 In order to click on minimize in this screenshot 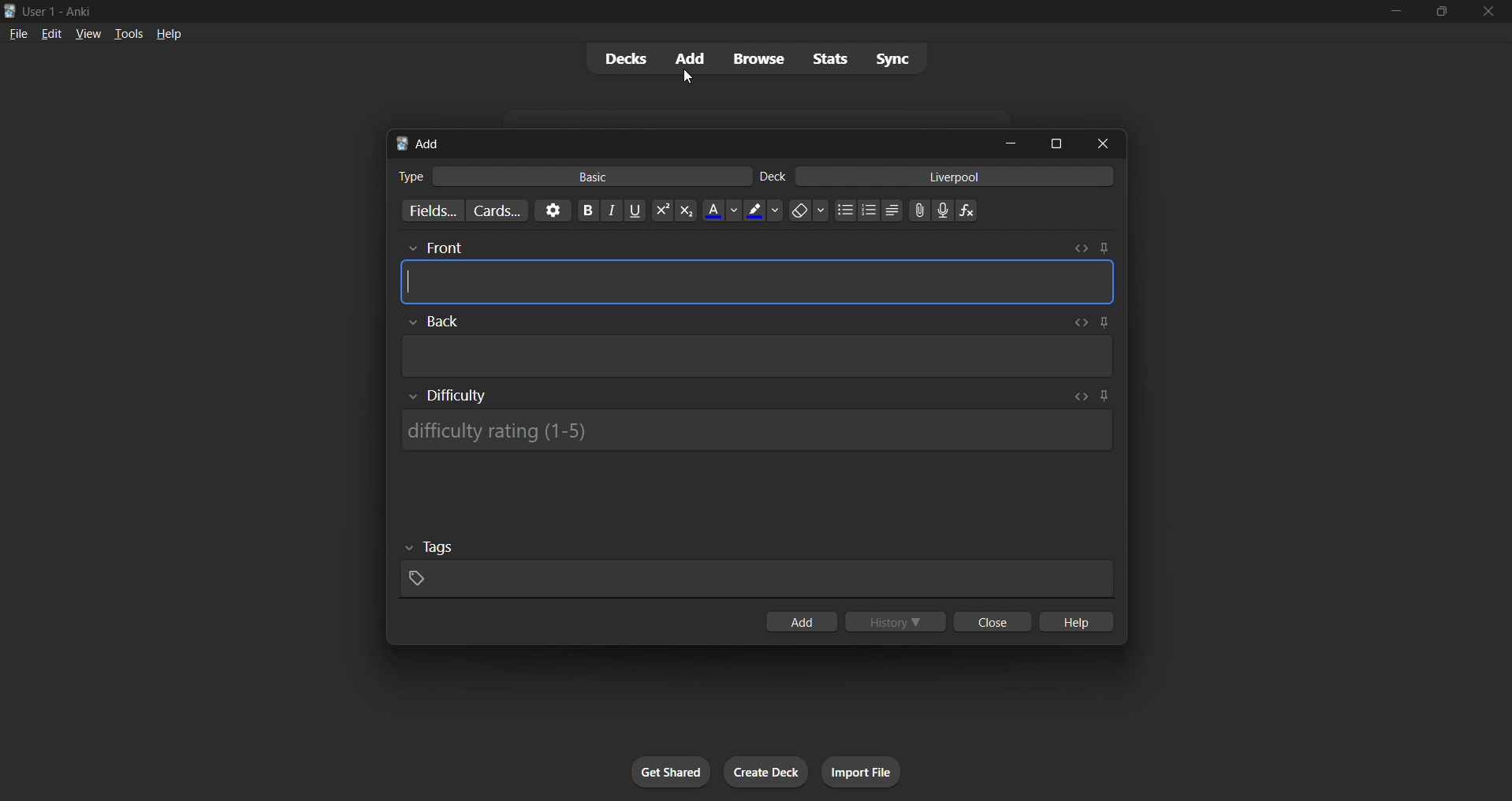, I will do `click(1393, 13)`.